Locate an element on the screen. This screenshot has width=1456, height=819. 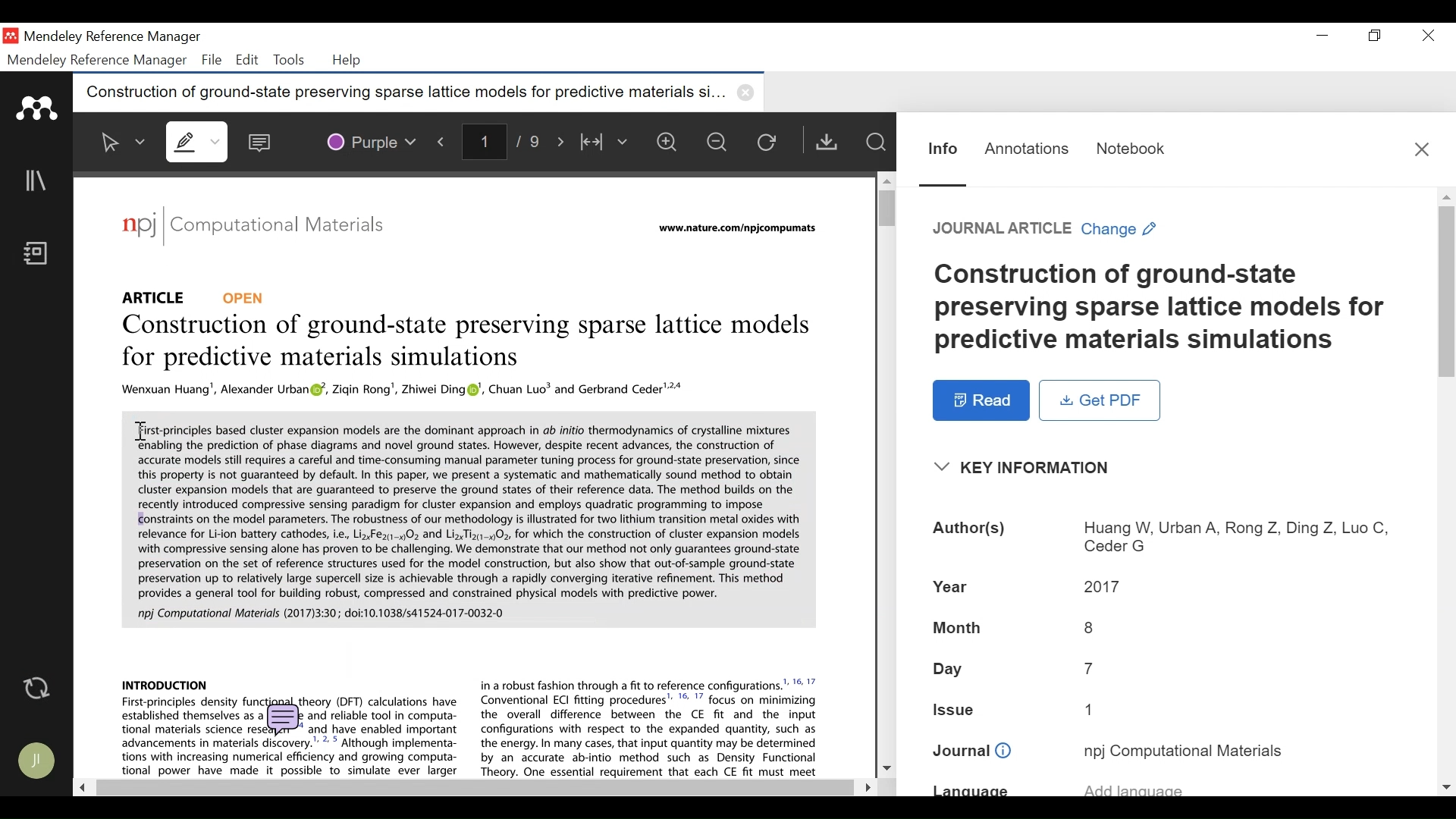
File is located at coordinates (212, 60).